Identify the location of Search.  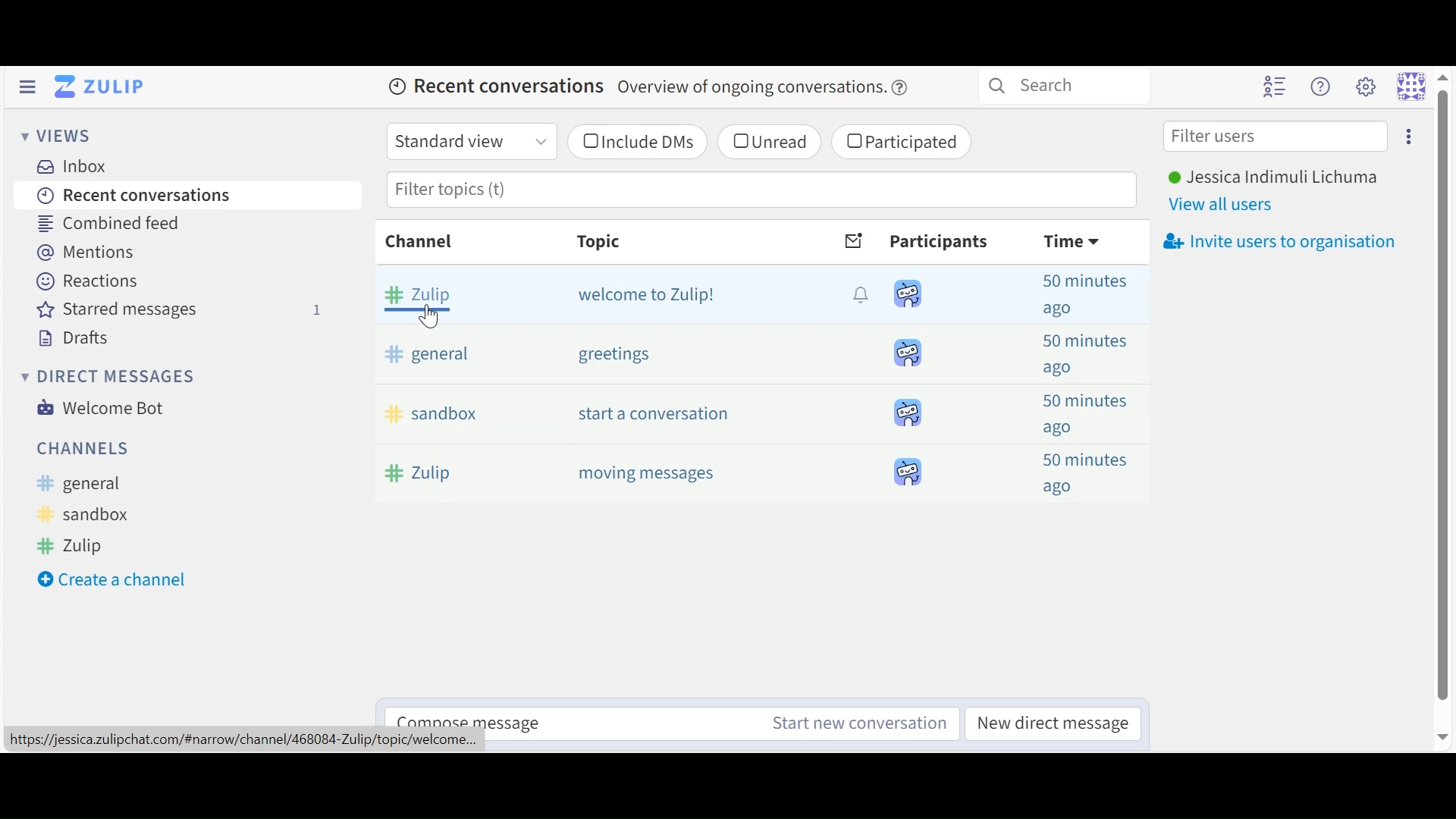
(1059, 86).